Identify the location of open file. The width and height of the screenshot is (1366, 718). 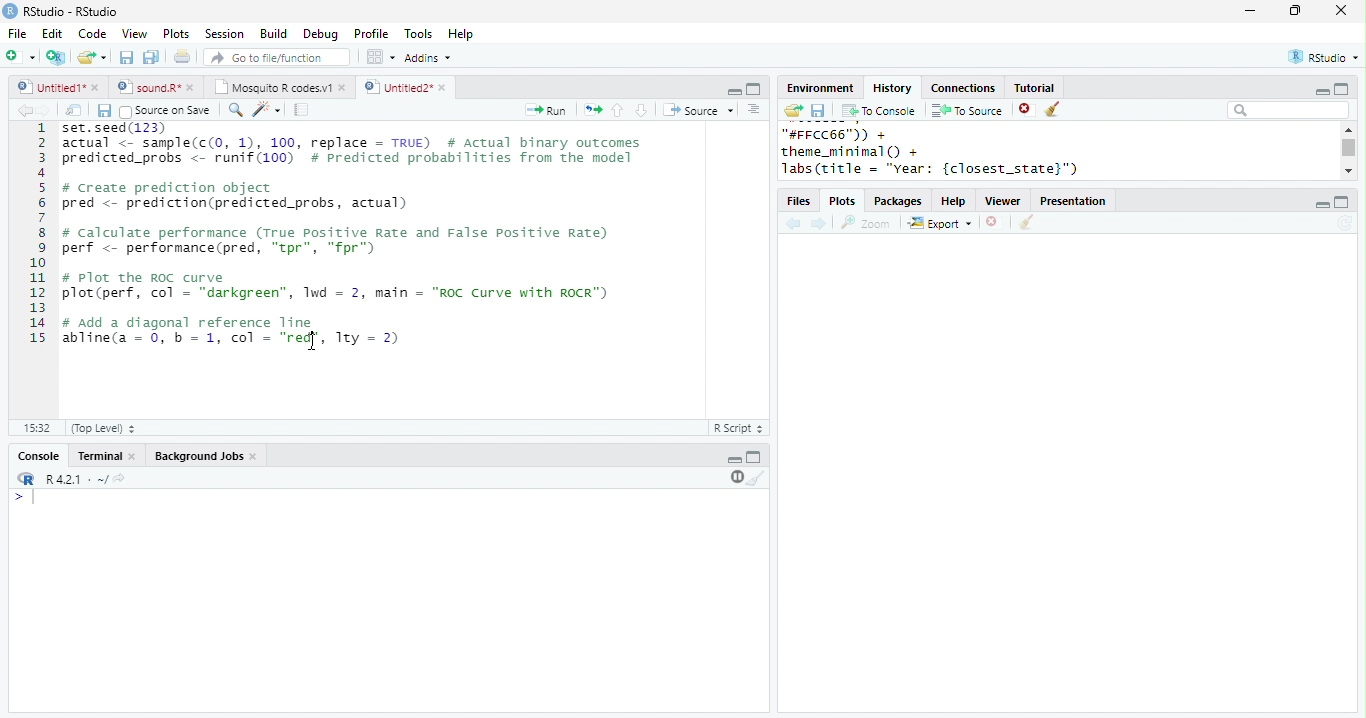
(92, 57).